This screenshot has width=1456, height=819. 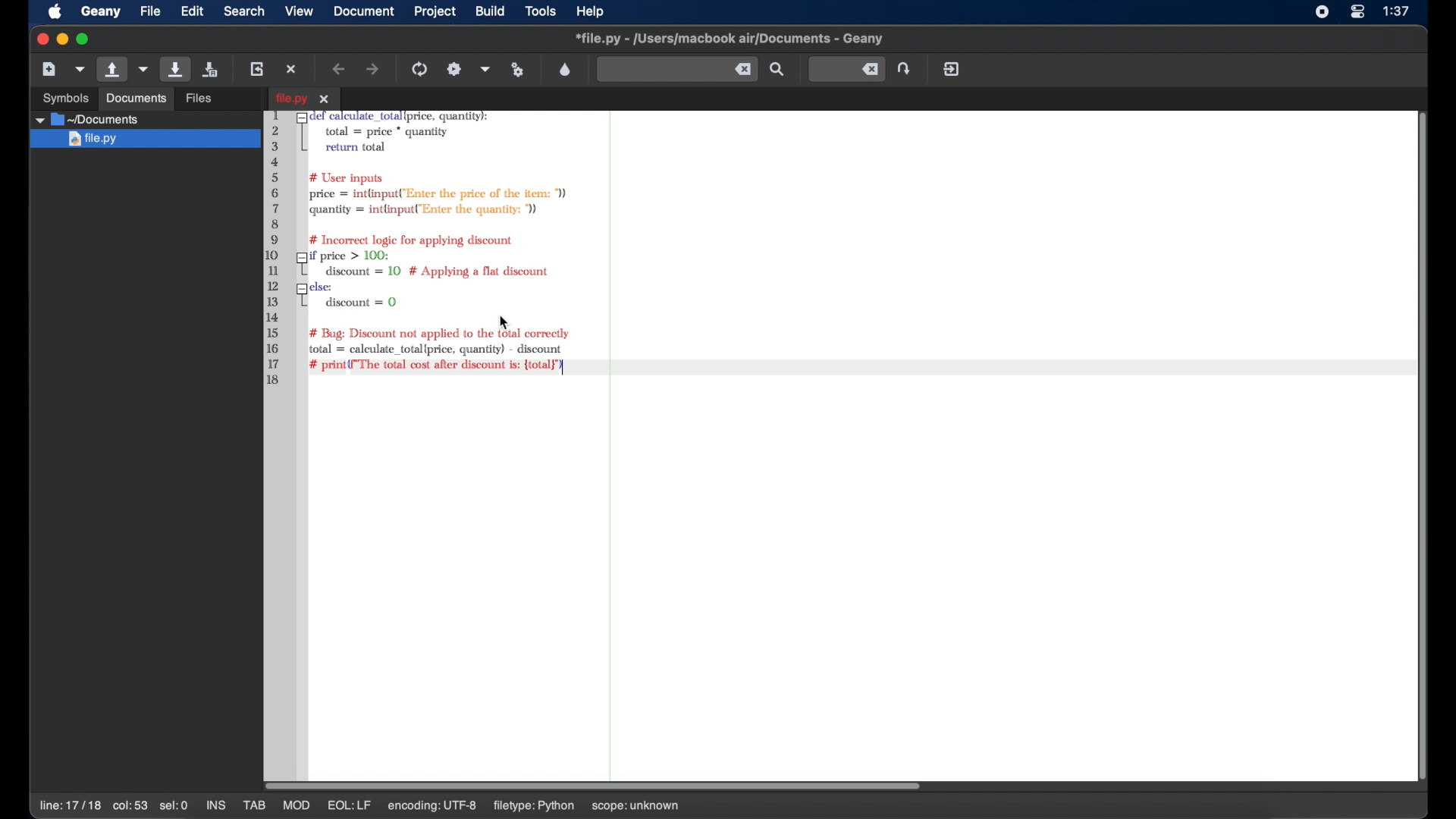 What do you see at coordinates (80, 69) in the screenshot?
I see `create file from template` at bounding box center [80, 69].